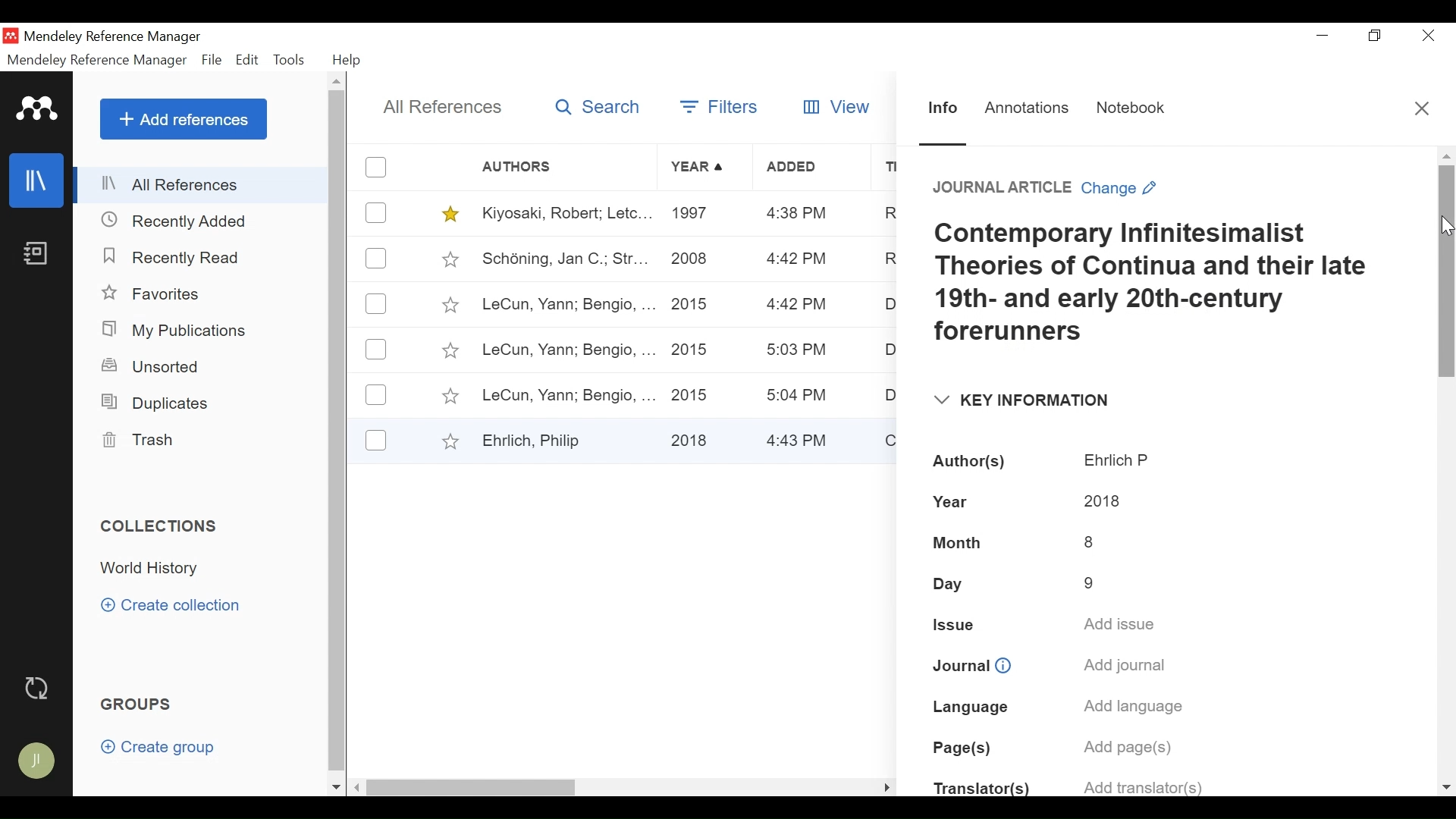 The image size is (1456, 819). What do you see at coordinates (972, 463) in the screenshot?
I see `Author(s)` at bounding box center [972, 463].